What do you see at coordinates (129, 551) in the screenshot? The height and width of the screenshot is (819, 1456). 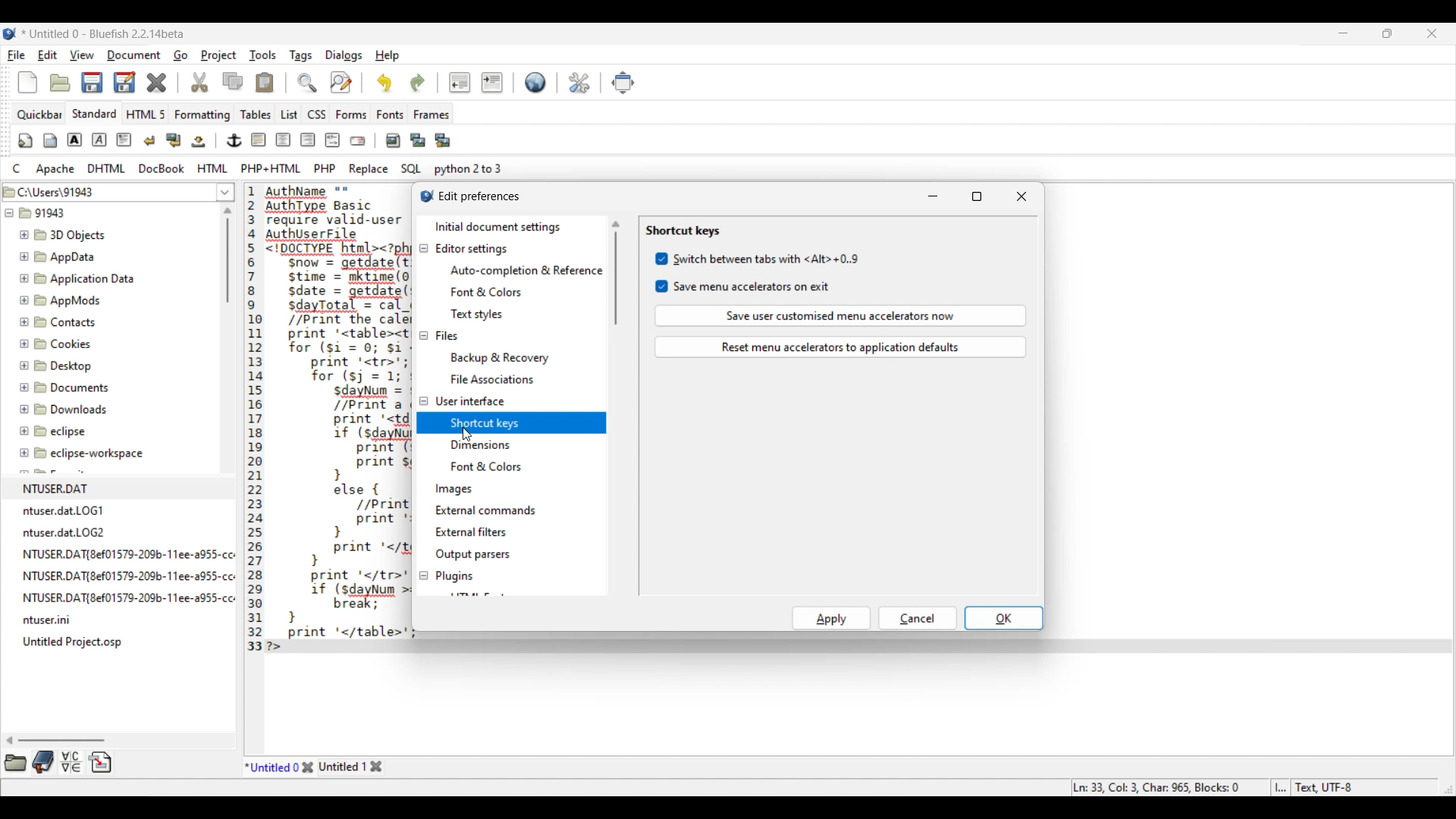 I see `NTUSER.DAT{8ef01579-209b-11ee-2955-cc+` at bounding box center [129, 551].